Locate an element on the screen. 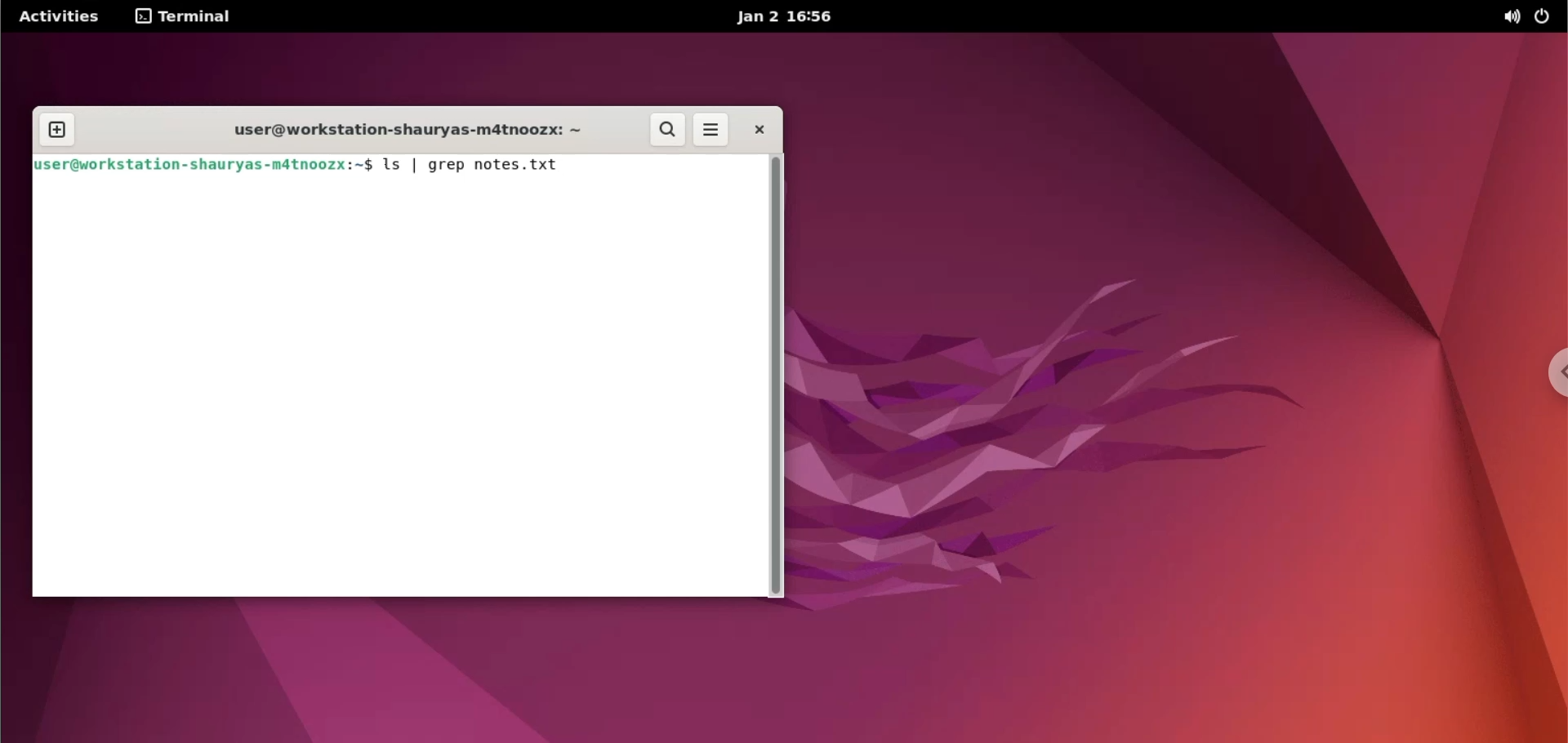  more options is located at coordinates (709, 130).